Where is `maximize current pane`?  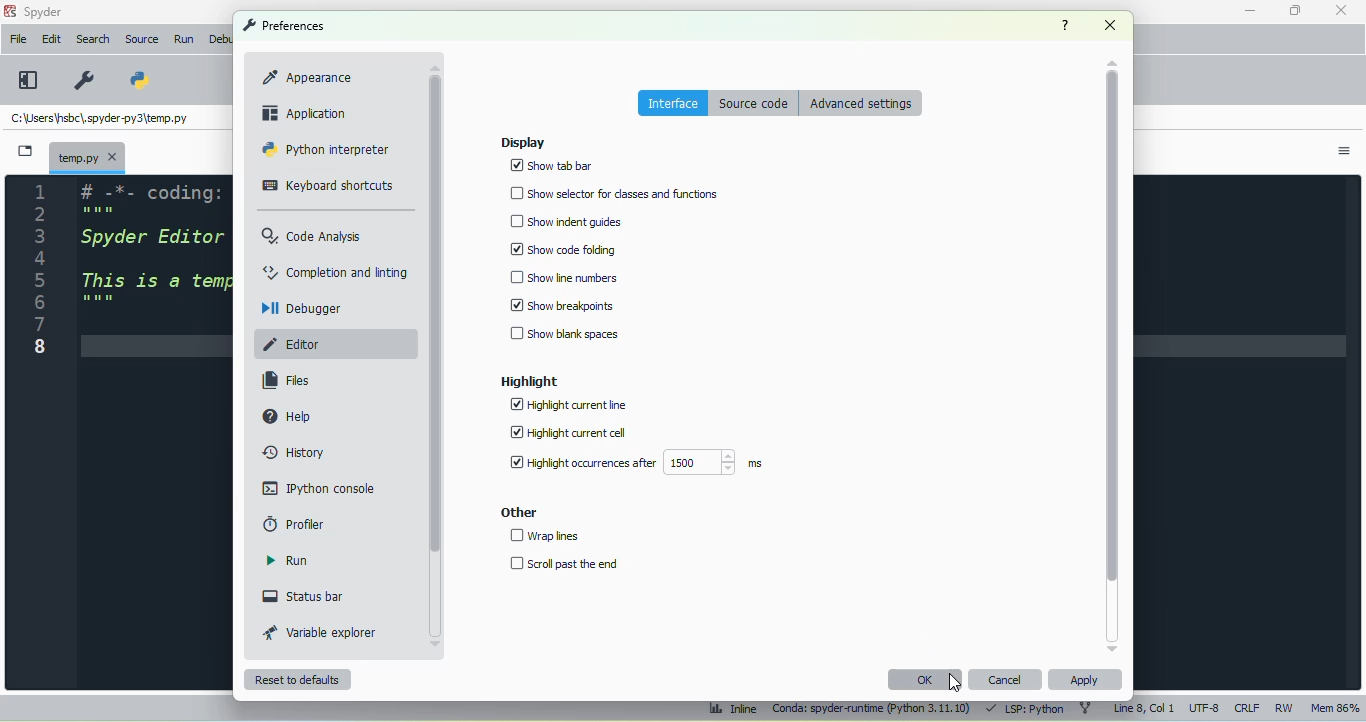 maximize current pane is located at coordinates (29, 80).